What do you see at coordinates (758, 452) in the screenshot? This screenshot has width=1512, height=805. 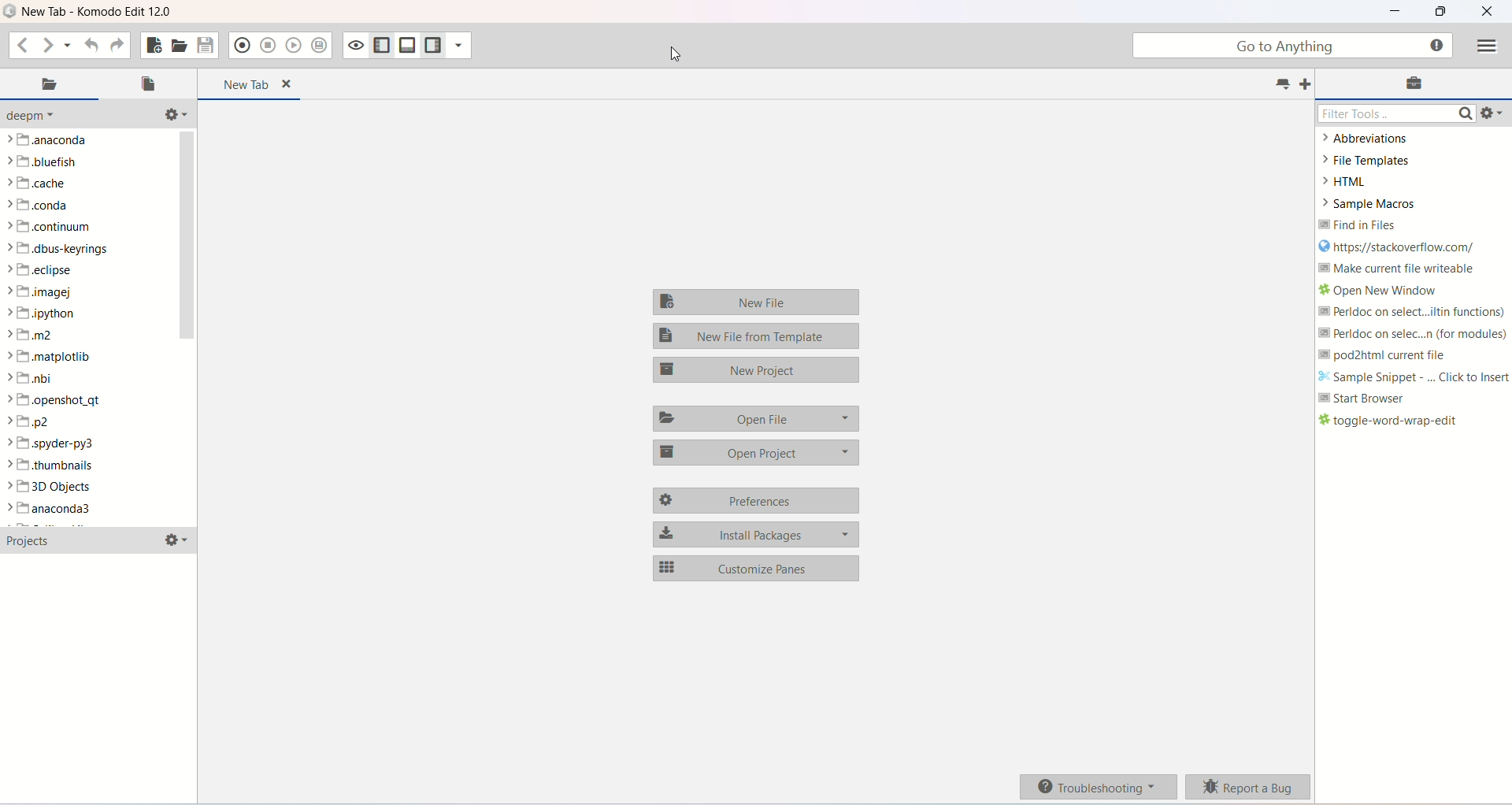 I see `open project` at bounding box center [758, 452].